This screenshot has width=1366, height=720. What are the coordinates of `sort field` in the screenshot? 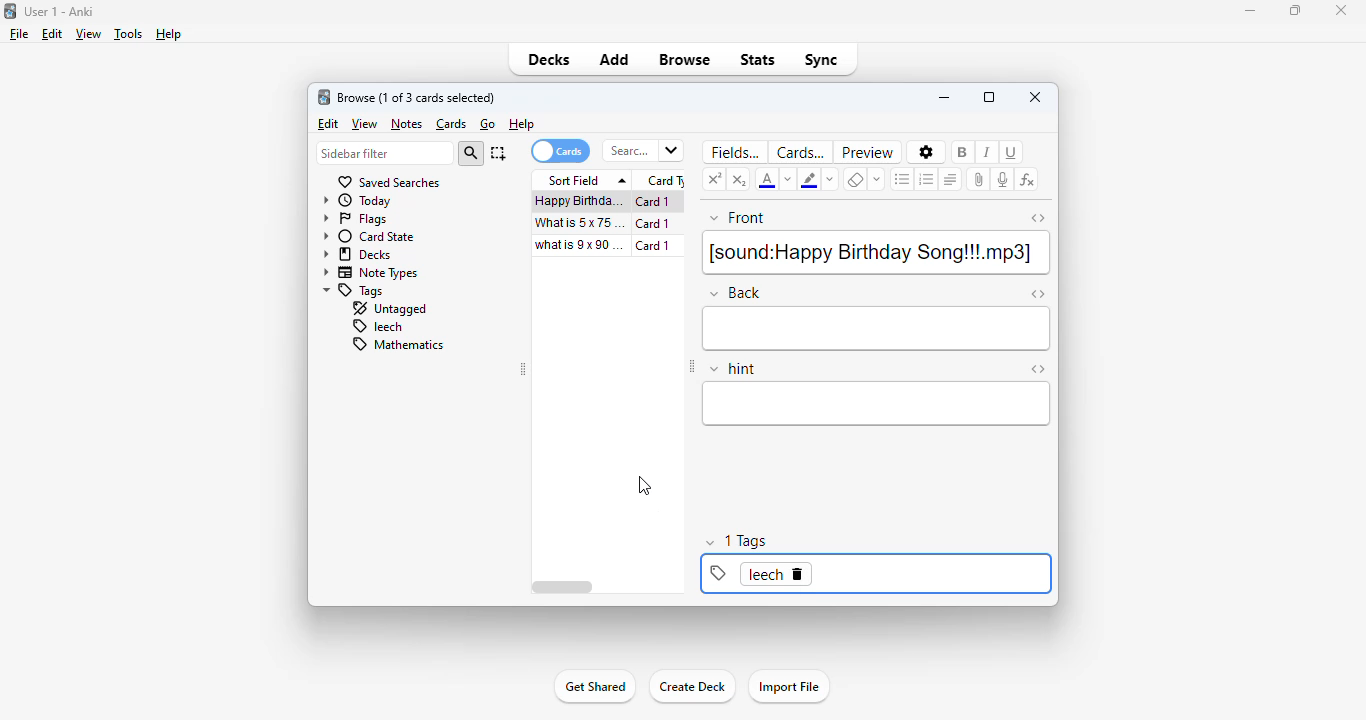 It's located at (583, 180).